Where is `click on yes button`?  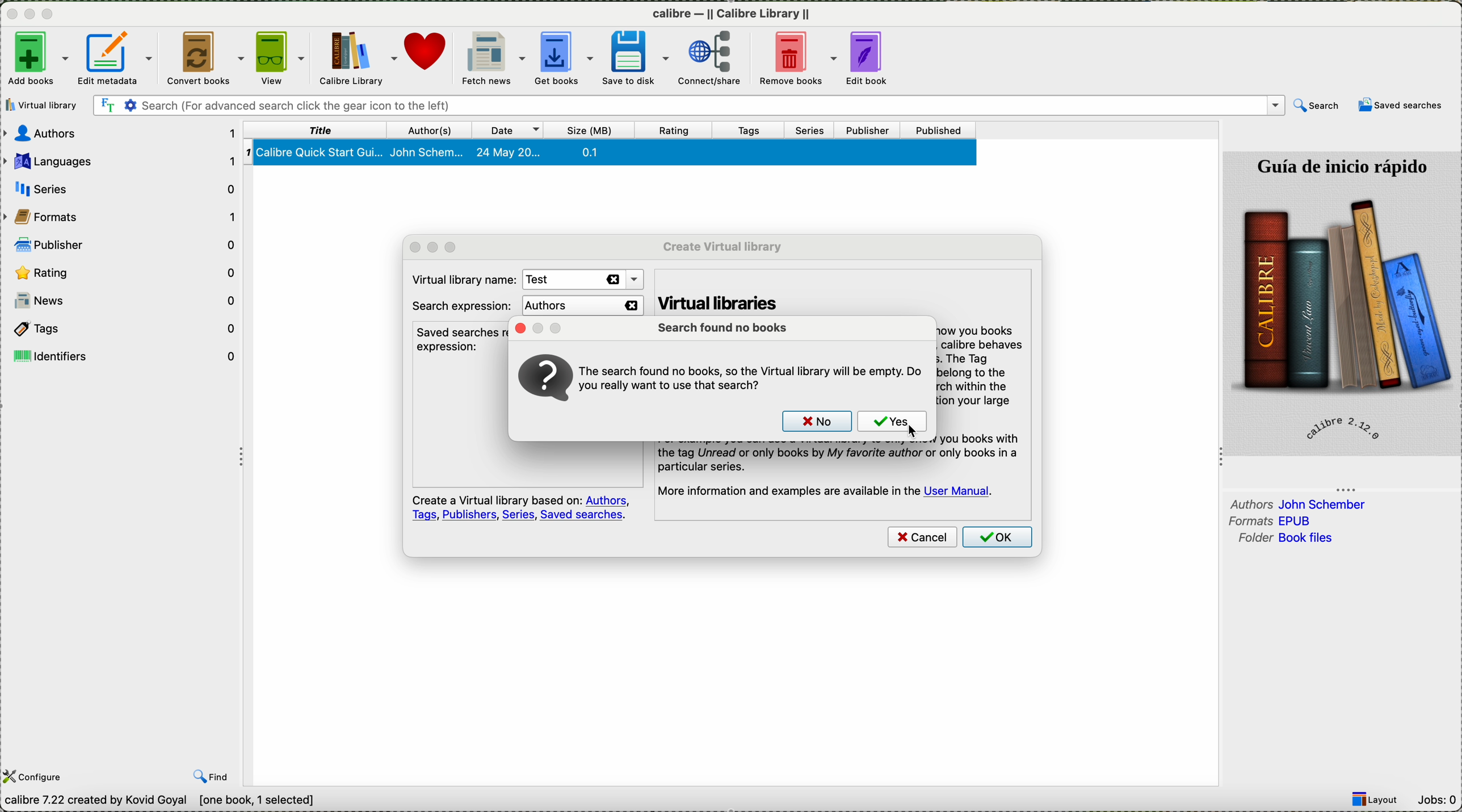
click on yes button is located at coordinates (897, 425).